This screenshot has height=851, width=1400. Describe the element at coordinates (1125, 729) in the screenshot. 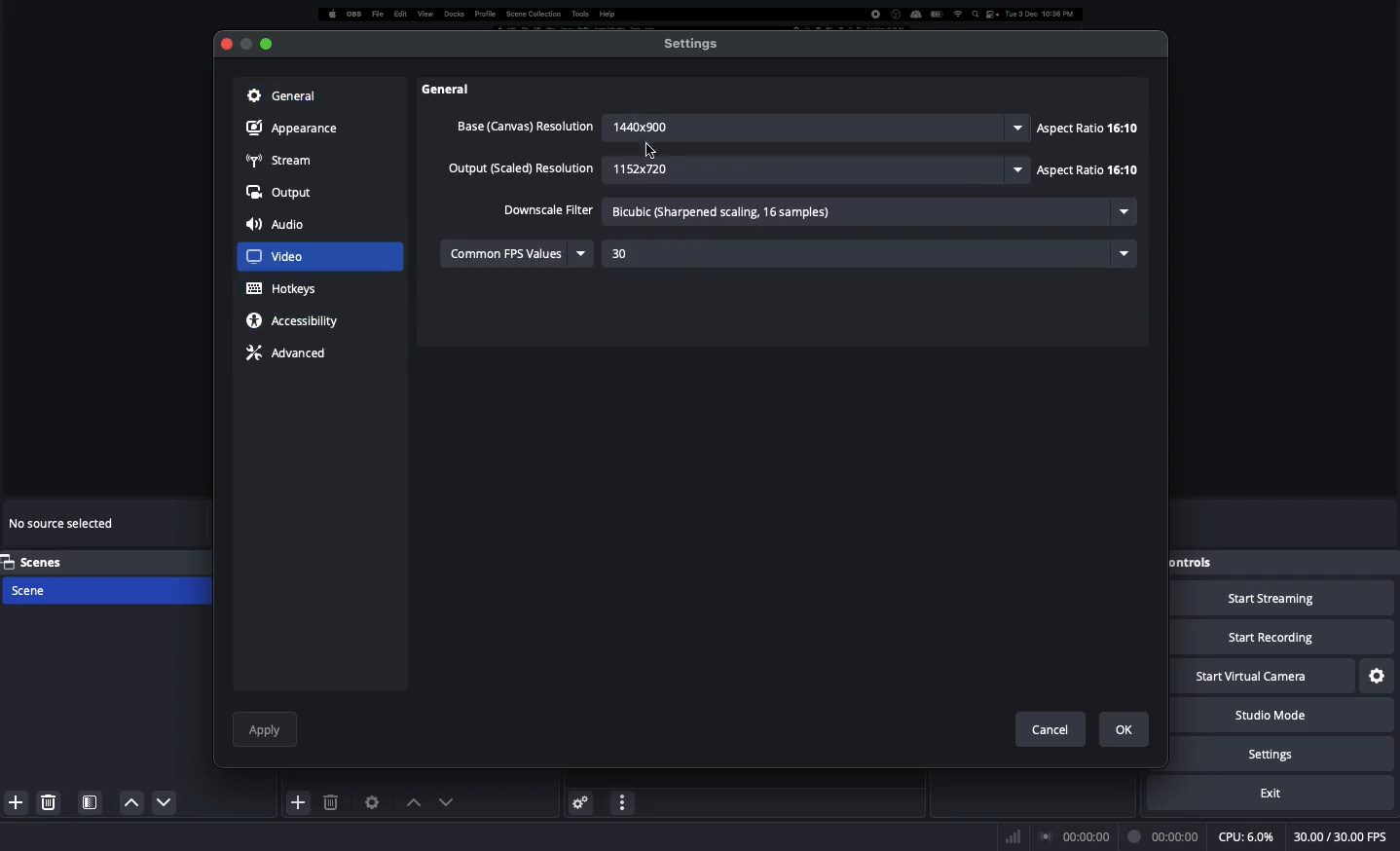

I see `Ok` at that location.